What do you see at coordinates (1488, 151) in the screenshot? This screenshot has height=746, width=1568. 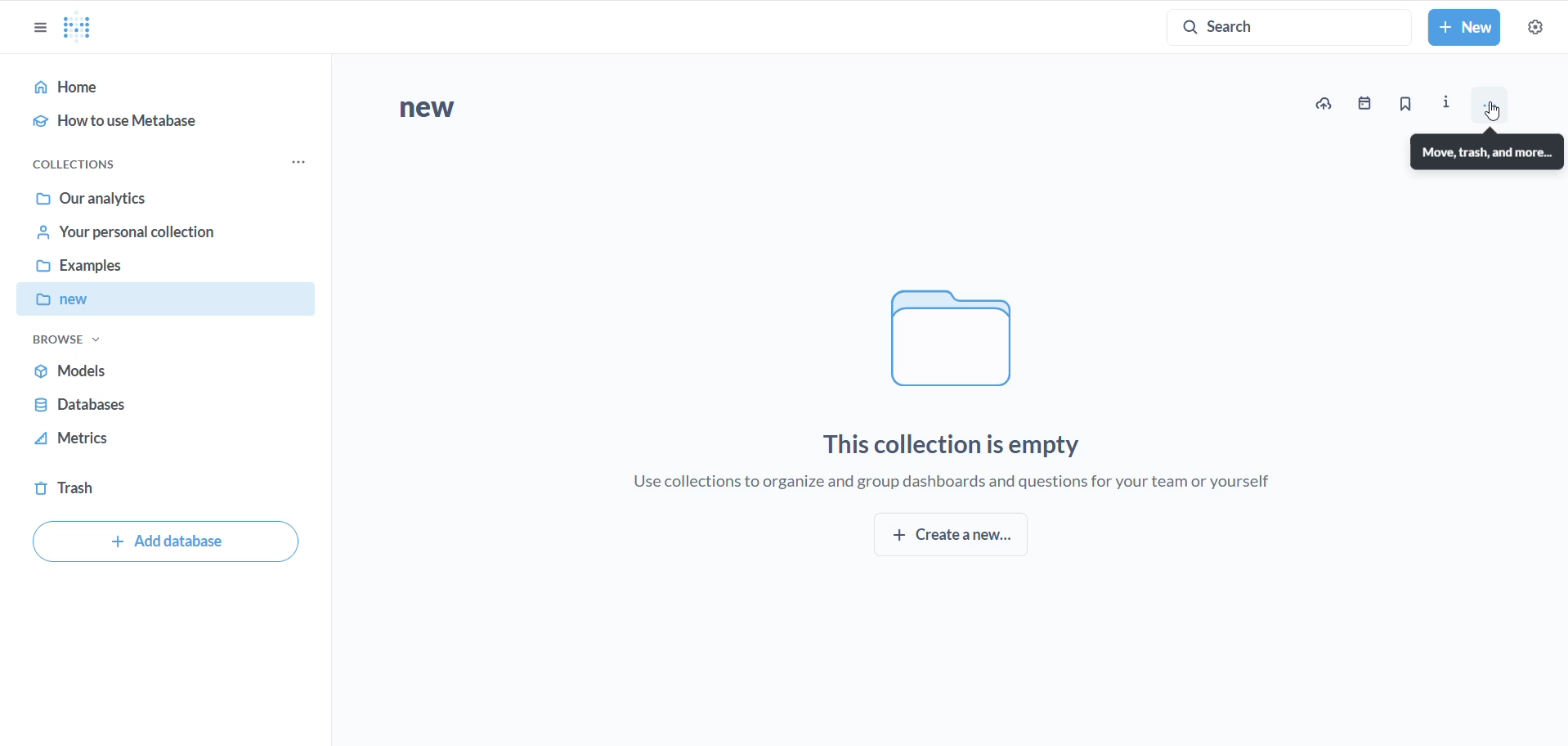 I see `Move, trash, and more...` at bounding box center [1488, 151].